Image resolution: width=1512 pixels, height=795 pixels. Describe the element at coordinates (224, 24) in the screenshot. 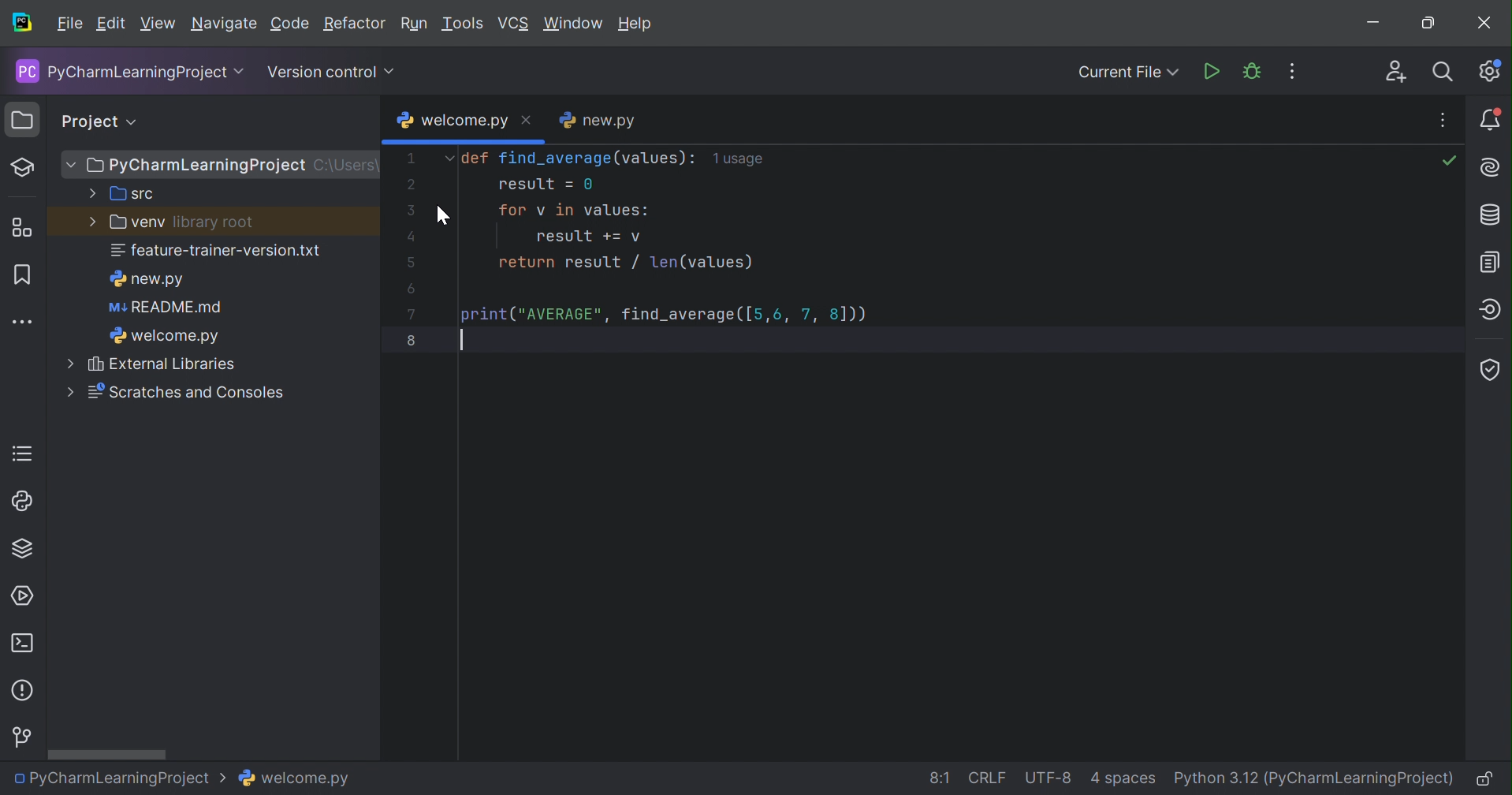

I see `Navigate` at that location.